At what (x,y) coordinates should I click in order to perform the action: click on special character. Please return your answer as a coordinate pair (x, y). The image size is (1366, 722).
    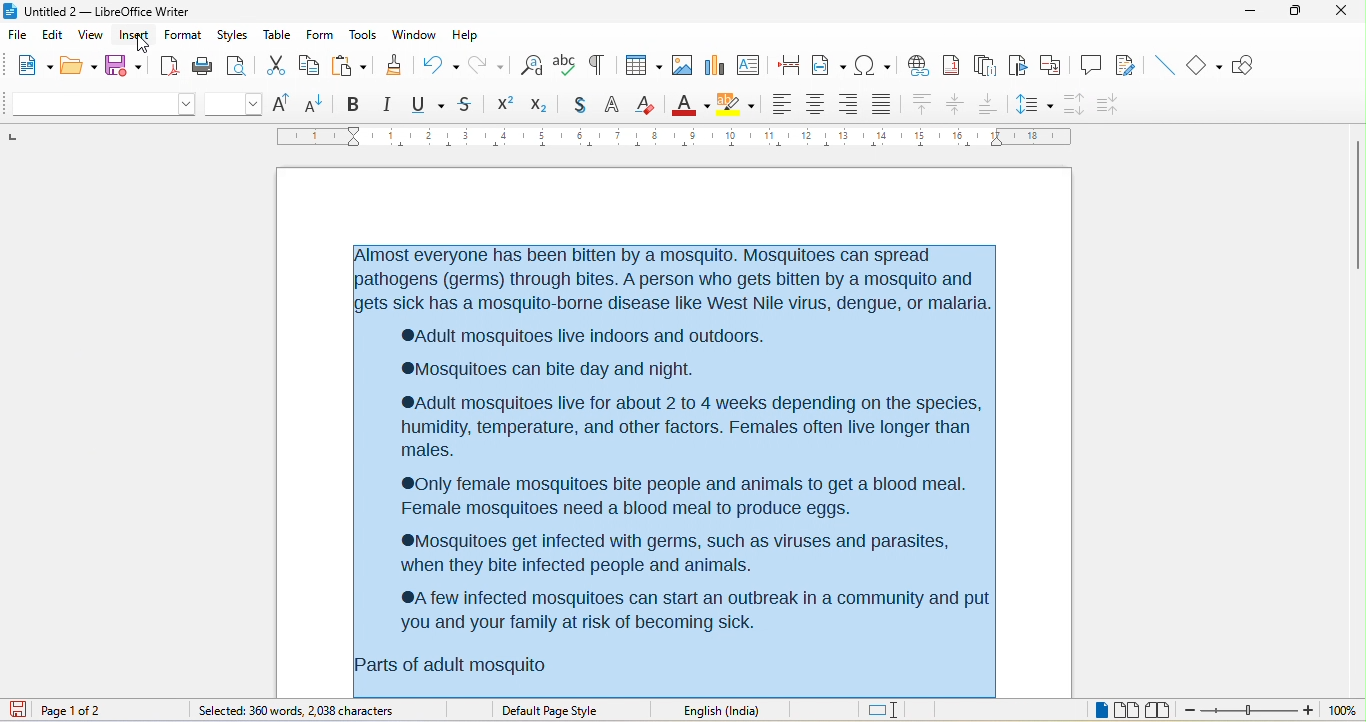
    Looking at the image, I should click on (875, 65).